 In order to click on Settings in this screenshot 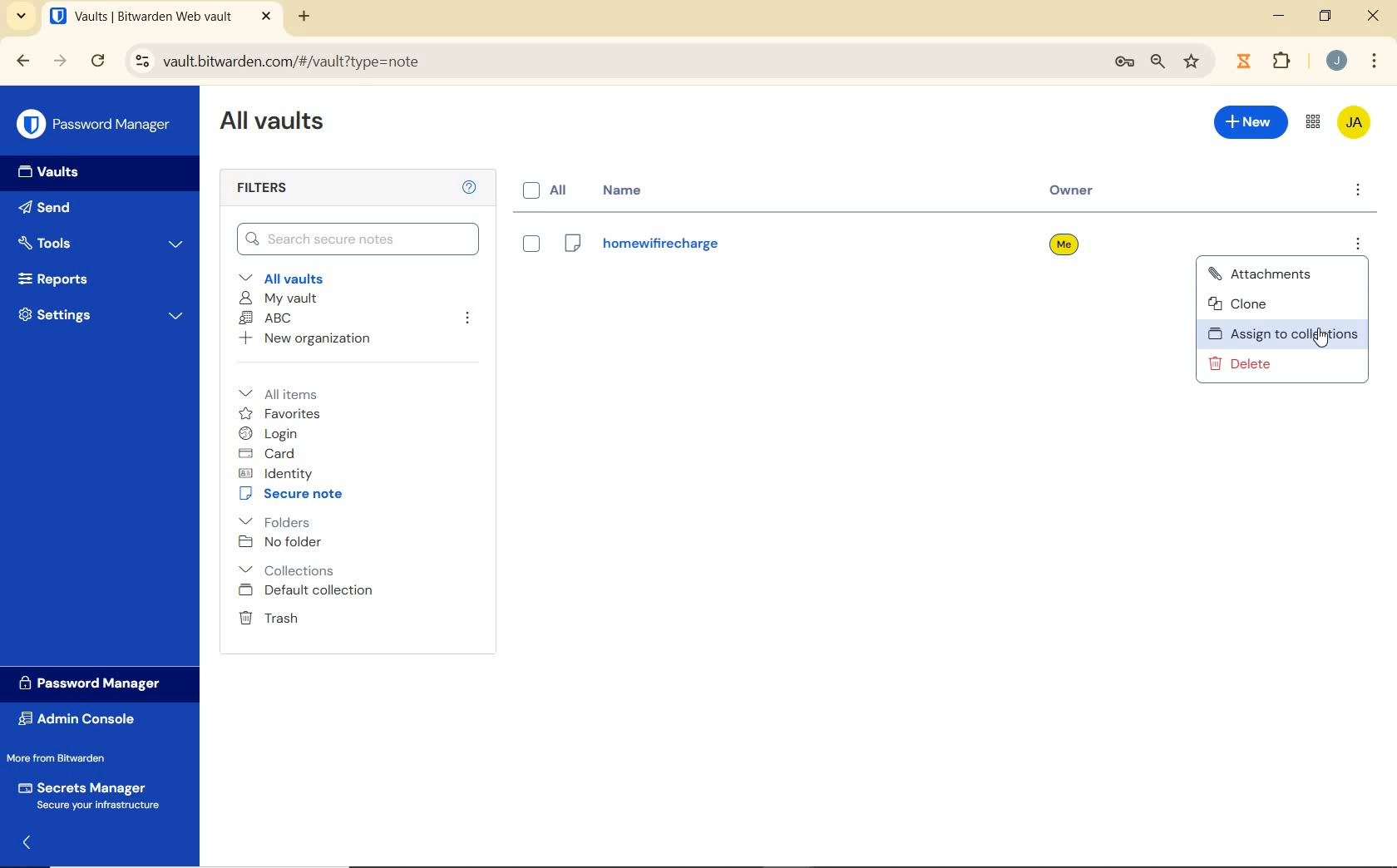, I will do `click(99, 314)`.